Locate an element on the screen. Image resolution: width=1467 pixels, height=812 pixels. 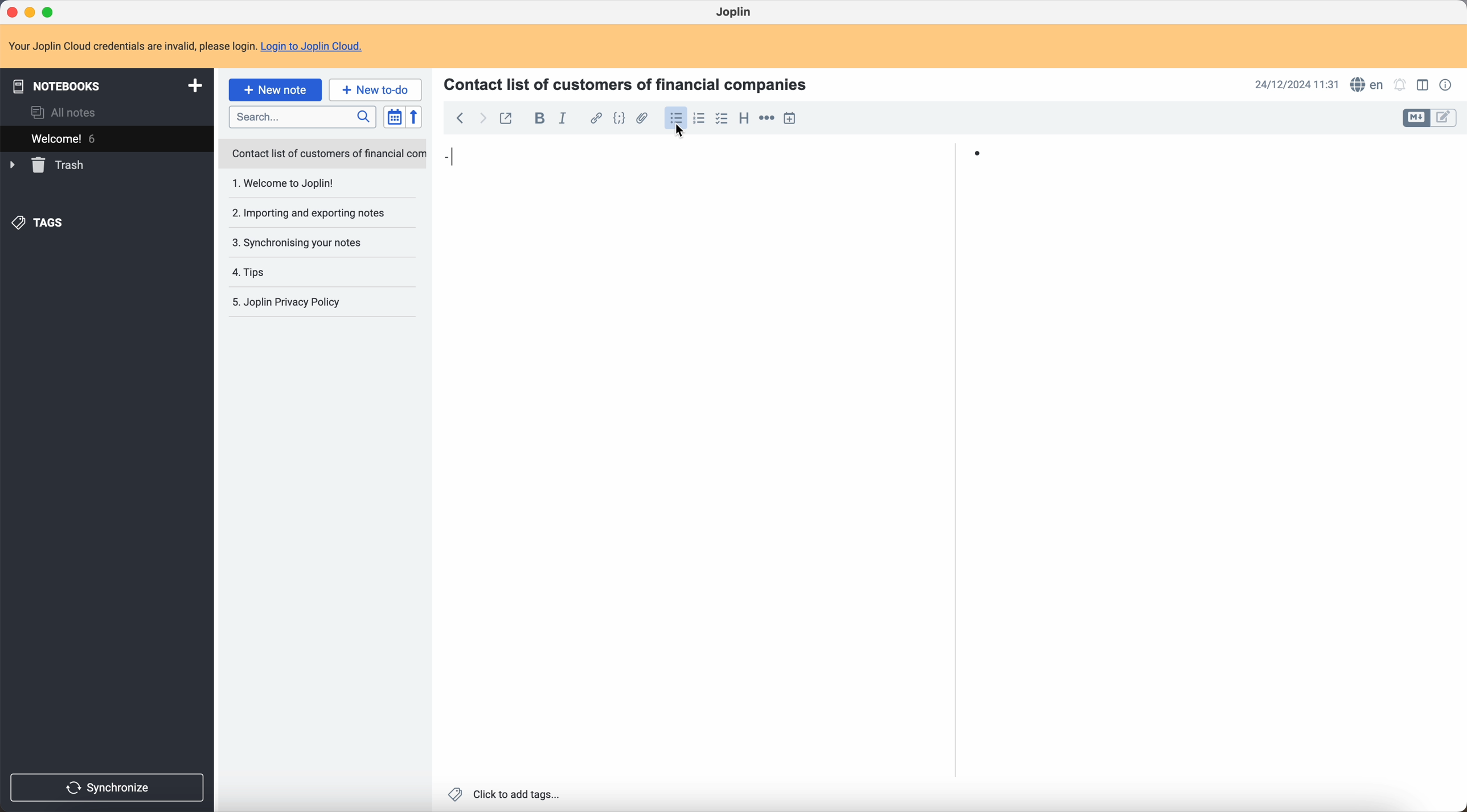
click to add tags is located at coordinates (503, 794).